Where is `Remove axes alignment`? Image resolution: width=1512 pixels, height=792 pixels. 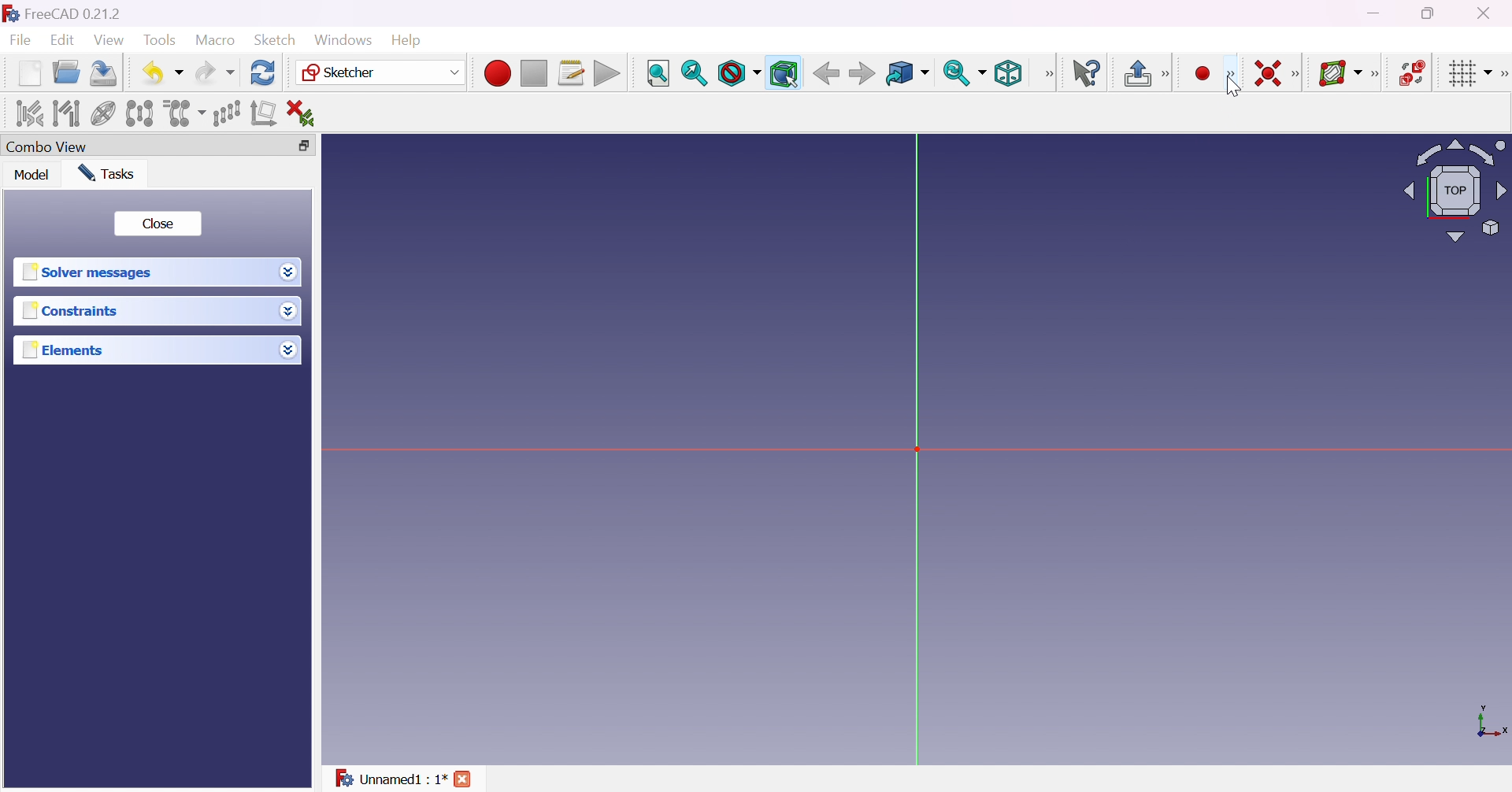
Remove axes alignment is located at coordinates (264, 114).